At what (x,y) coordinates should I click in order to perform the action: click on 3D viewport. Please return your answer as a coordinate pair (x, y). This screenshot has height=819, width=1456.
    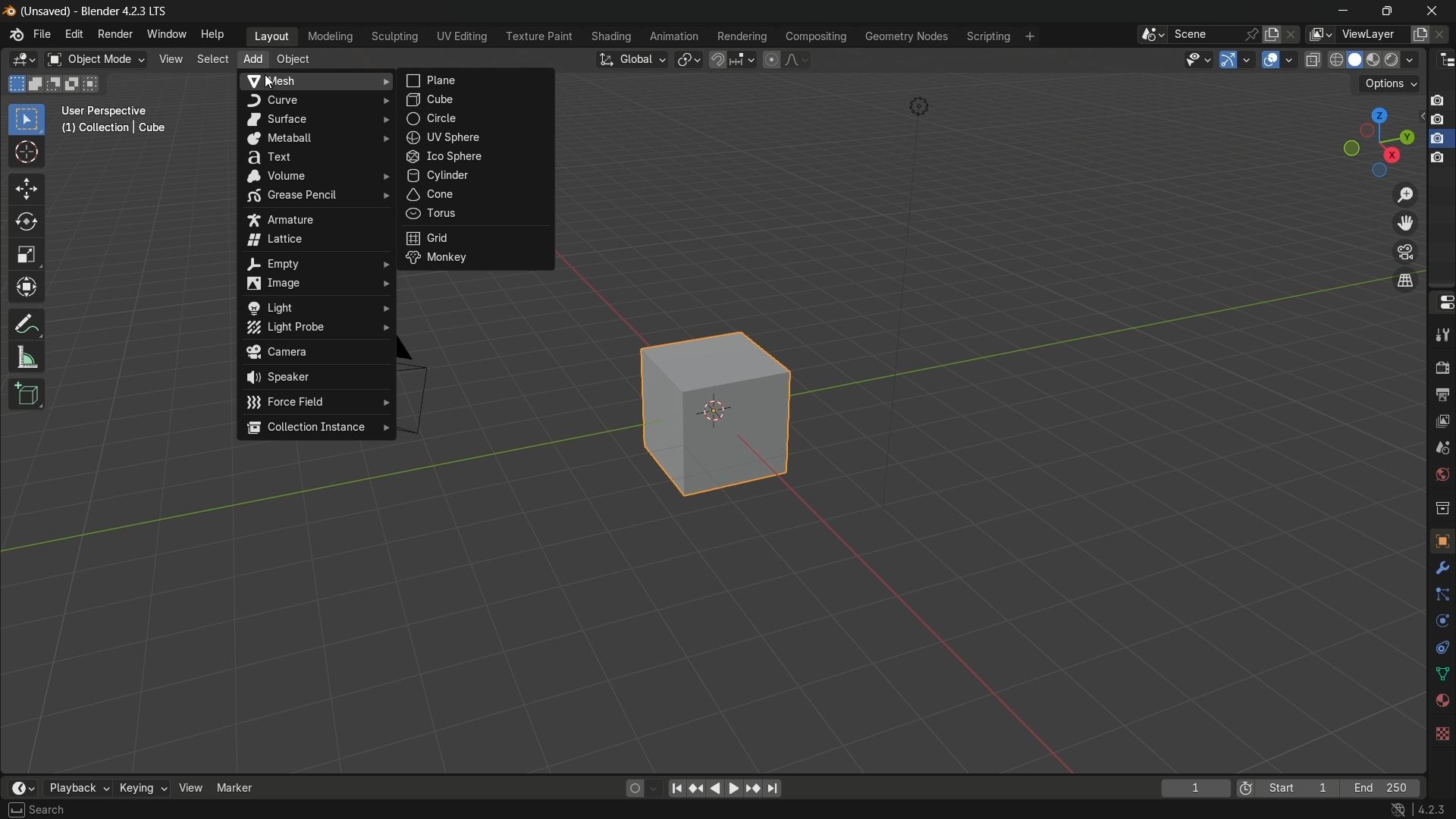
    Looking at the image, I should click on (23, 60).